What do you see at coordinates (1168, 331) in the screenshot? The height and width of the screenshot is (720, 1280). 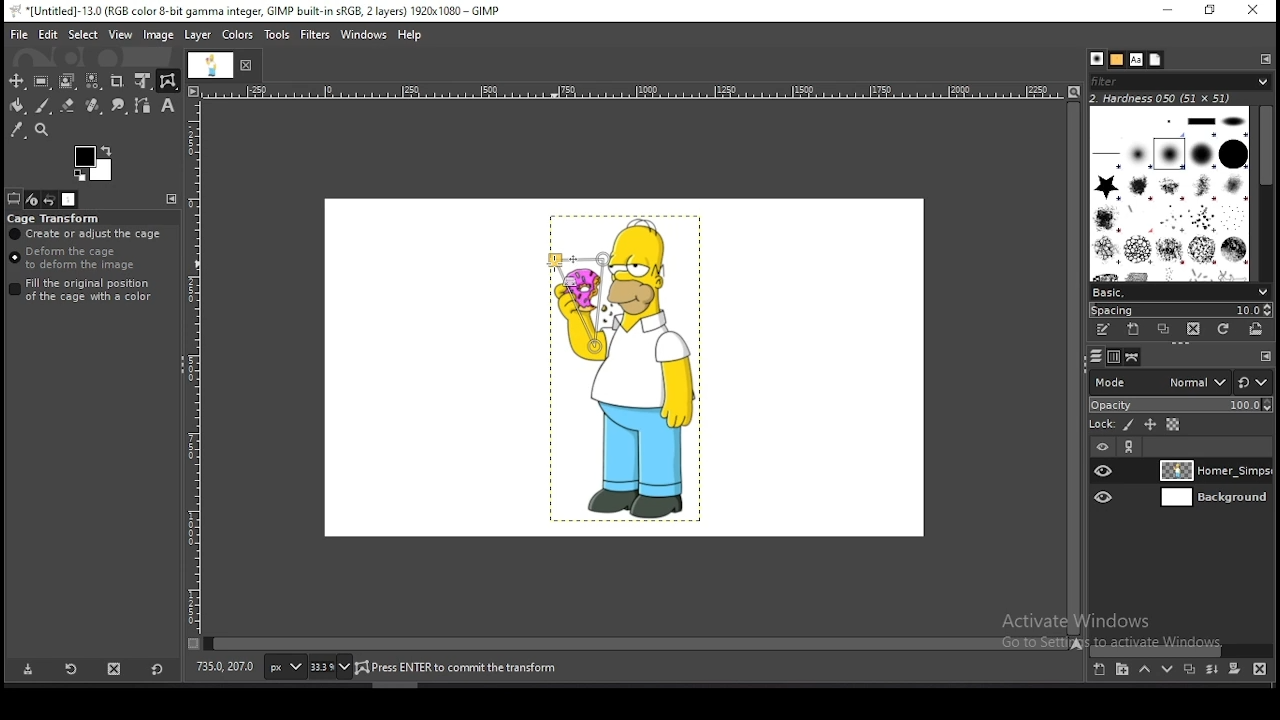 I see `duplicate brush` at bounding box center [1168, 331].